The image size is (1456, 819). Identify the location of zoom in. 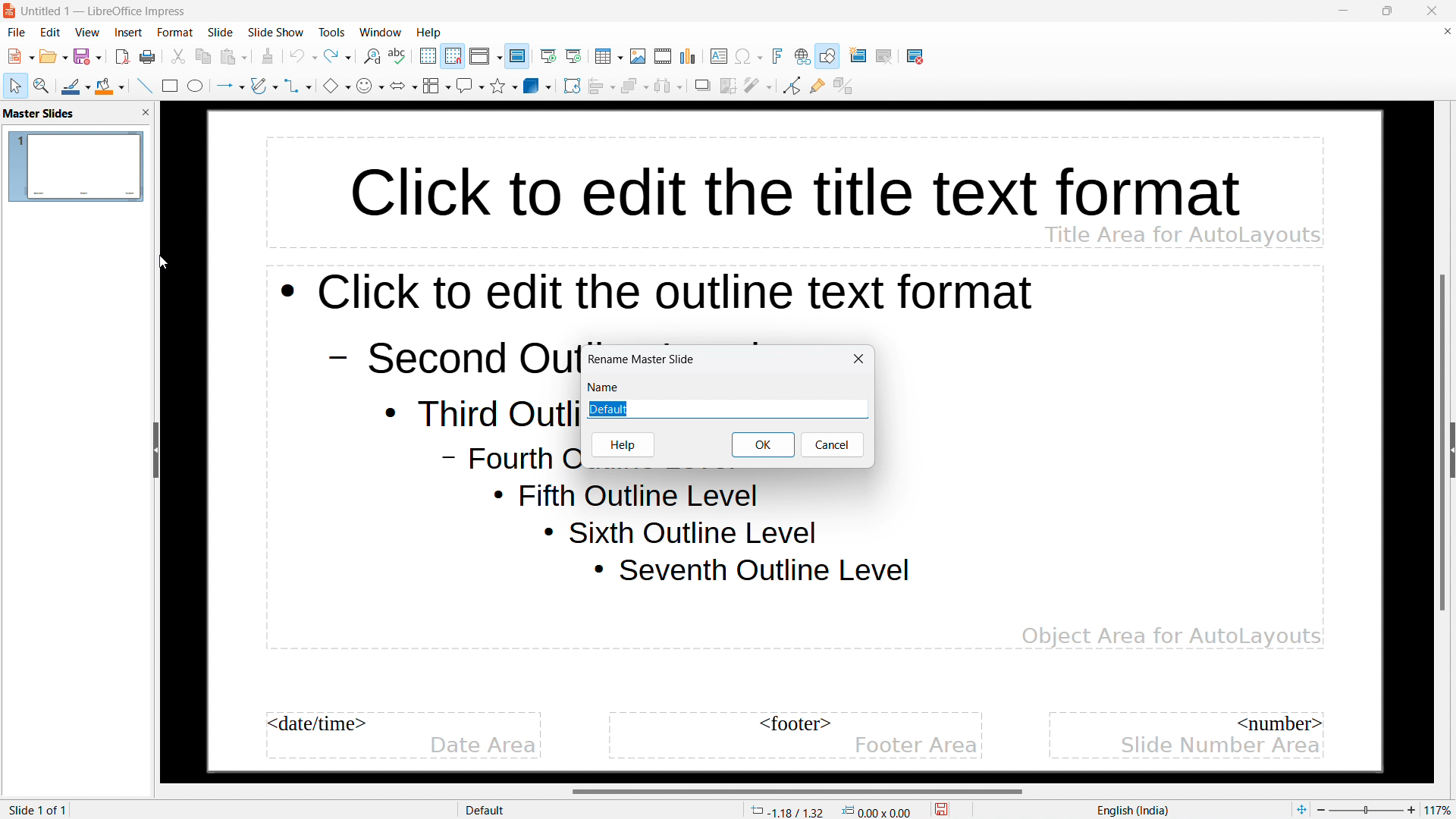
(1411, 808).